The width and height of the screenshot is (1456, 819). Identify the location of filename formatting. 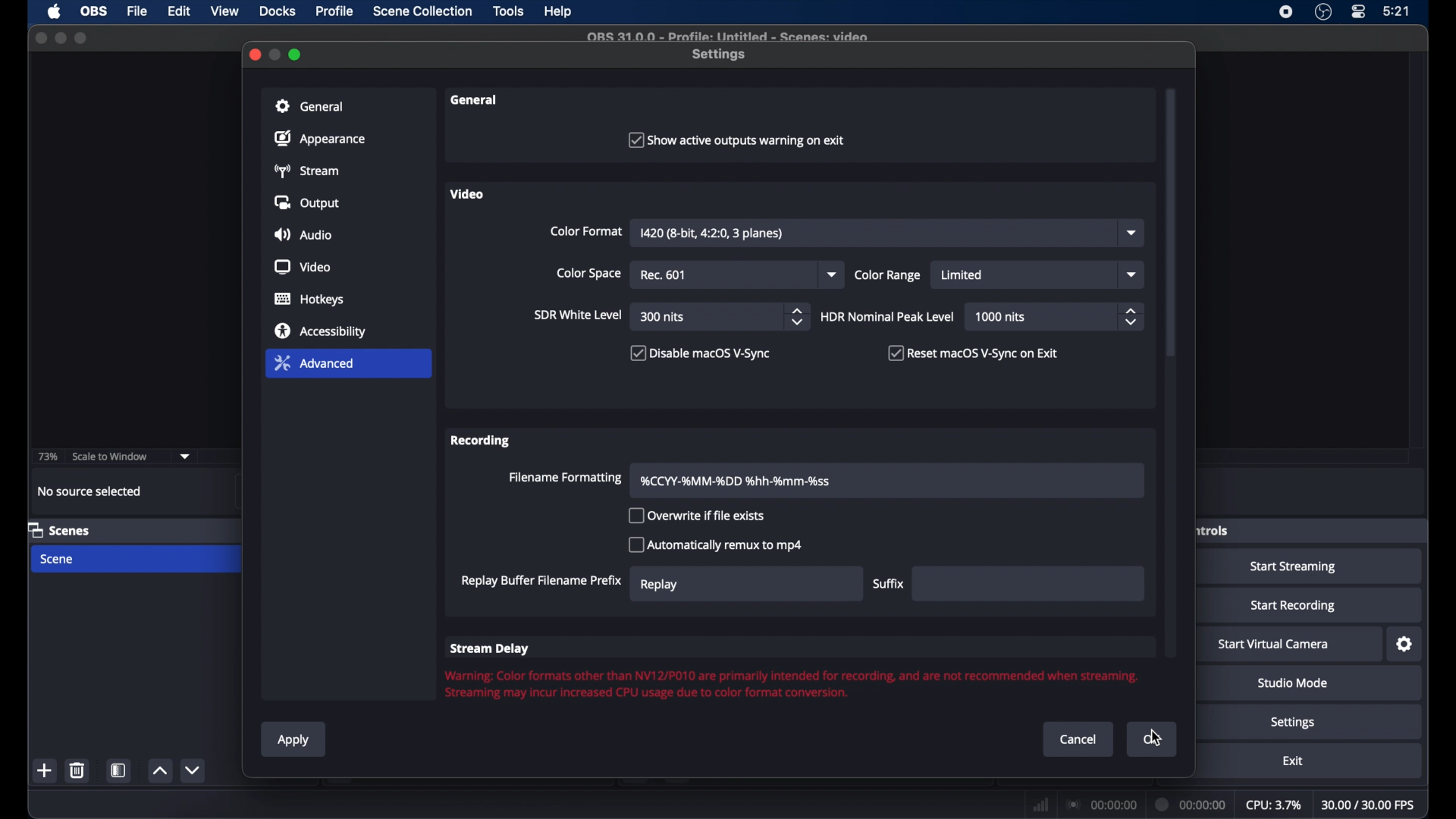
(566, 478).